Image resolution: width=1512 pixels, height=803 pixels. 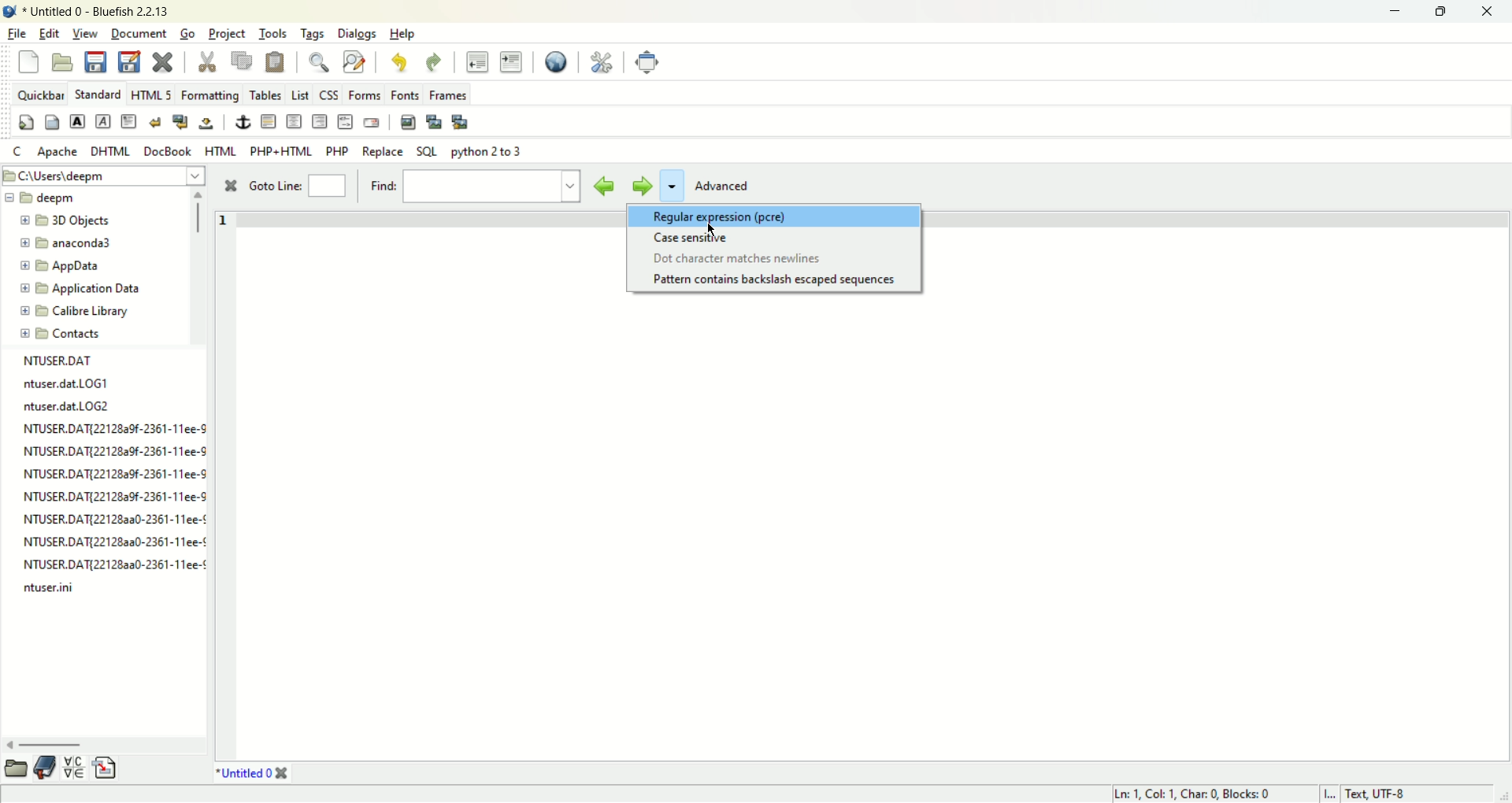 What do you see at coordinates (345, 122) in the screenshot?
I see `HTML comment` at bounding box center [345, 122].